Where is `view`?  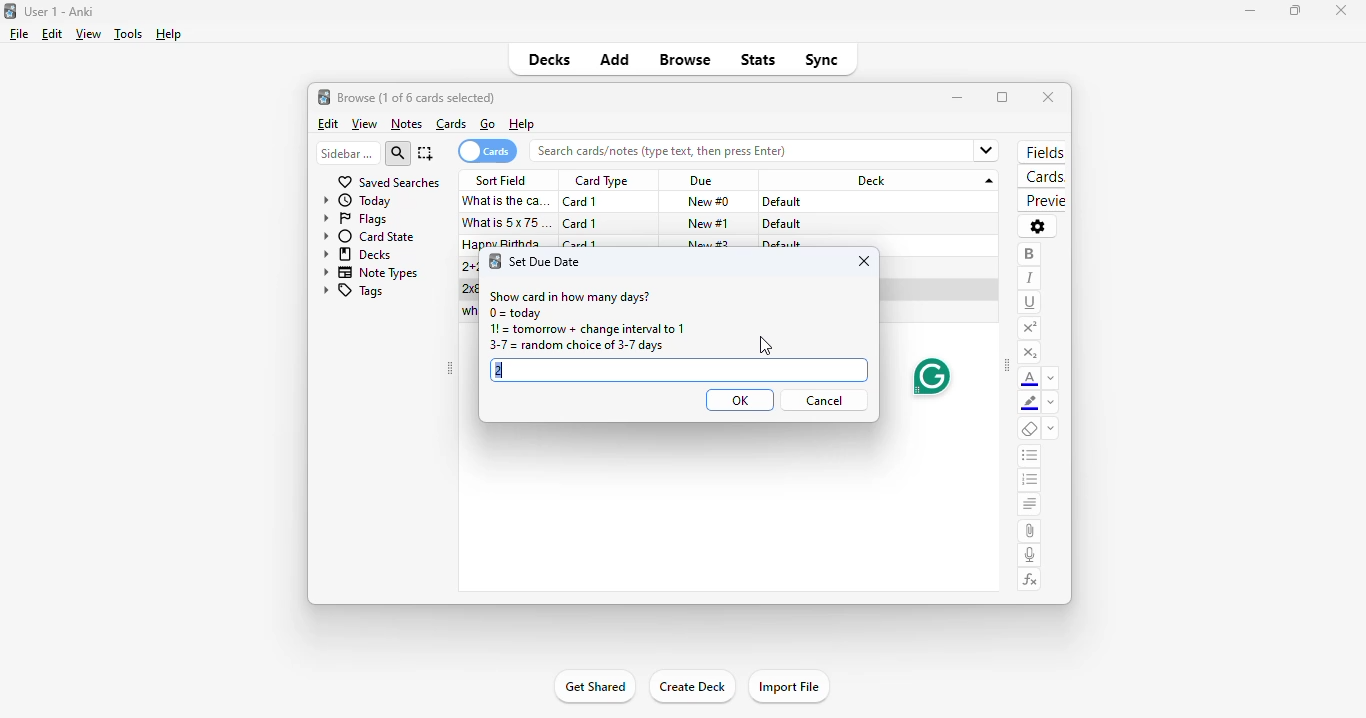 view is located at coordinates (364, 124).